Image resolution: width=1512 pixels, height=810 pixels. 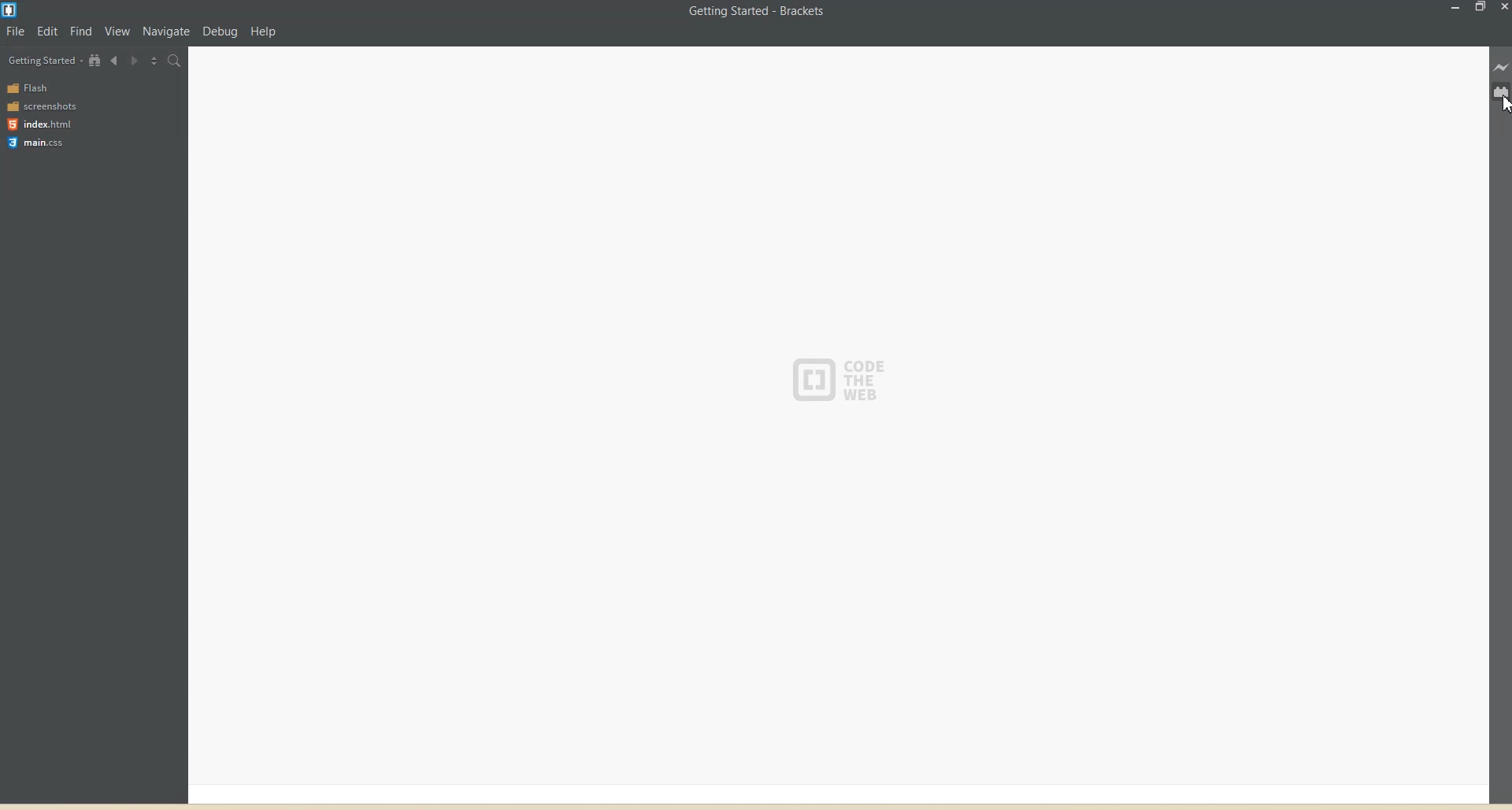 What do you see at coordinates (12, 10) in the screenshot?
I see `Logo` at bounding box center [12, 10].